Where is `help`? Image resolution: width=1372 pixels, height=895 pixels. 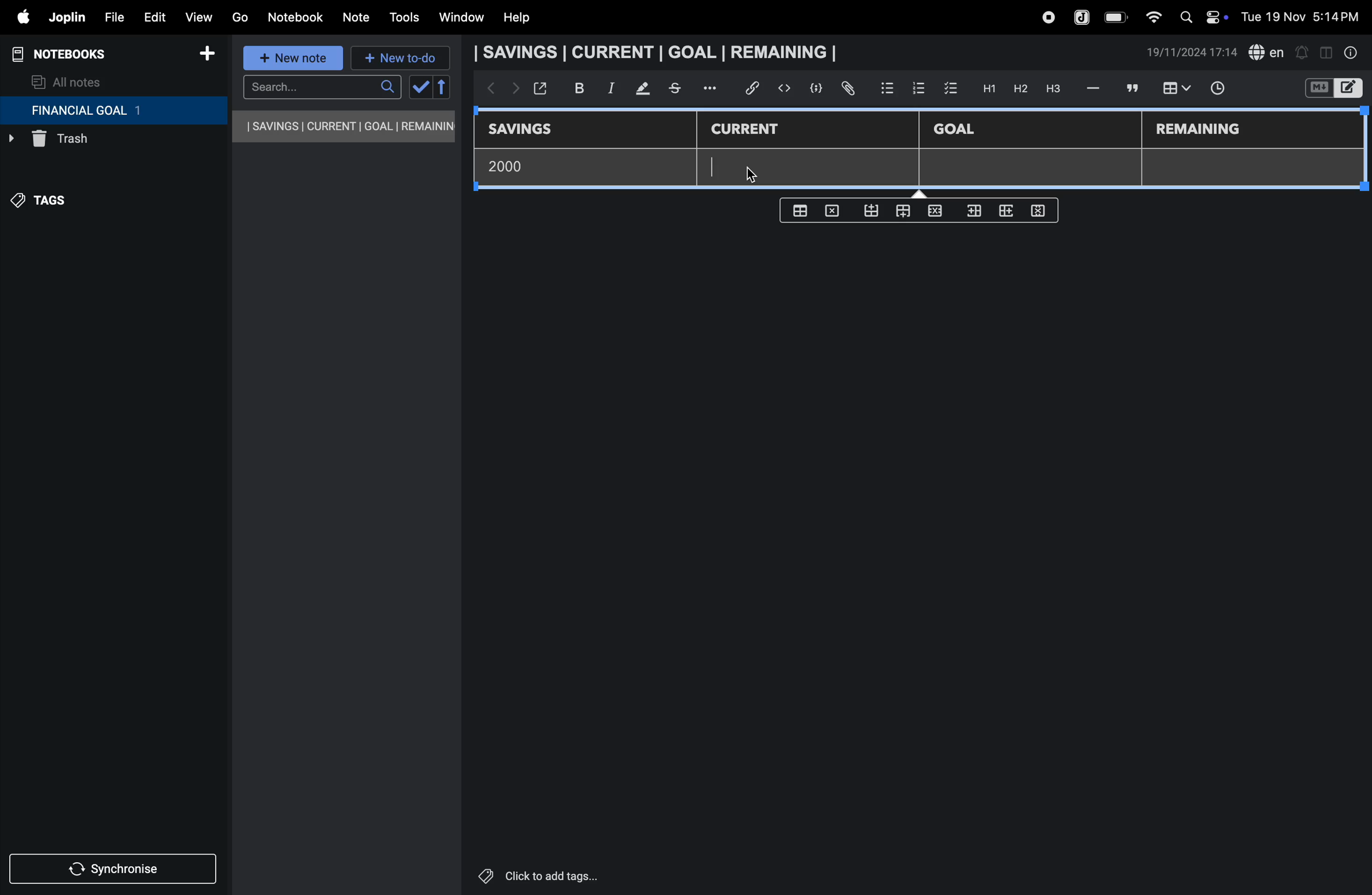
help is located at coordinates (525, 18).